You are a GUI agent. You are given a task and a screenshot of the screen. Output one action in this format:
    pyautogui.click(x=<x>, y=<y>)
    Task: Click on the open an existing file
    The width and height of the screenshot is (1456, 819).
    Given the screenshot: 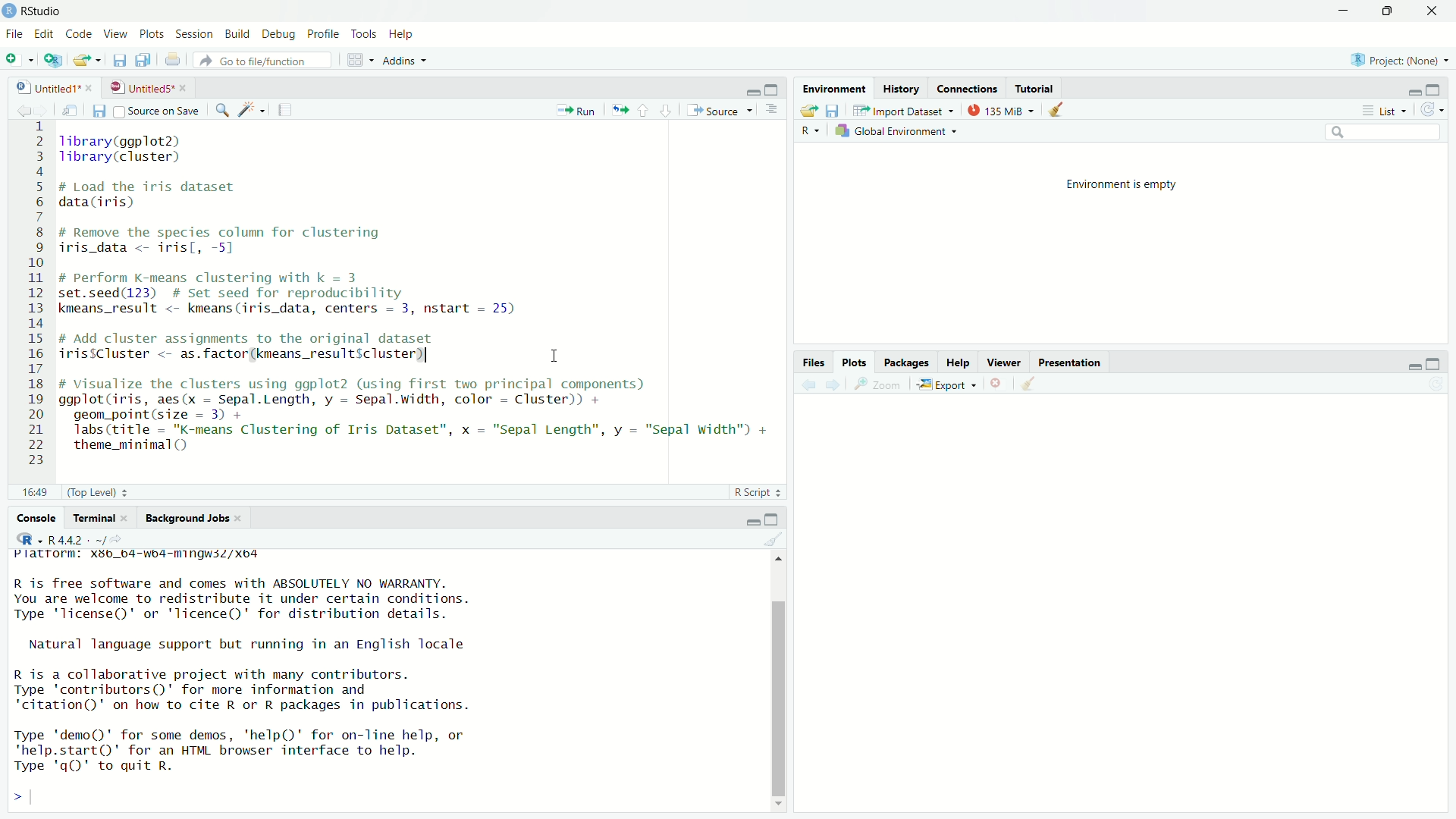 What is the action you would take?
    pyautogui.click(x=86, y=59)
    